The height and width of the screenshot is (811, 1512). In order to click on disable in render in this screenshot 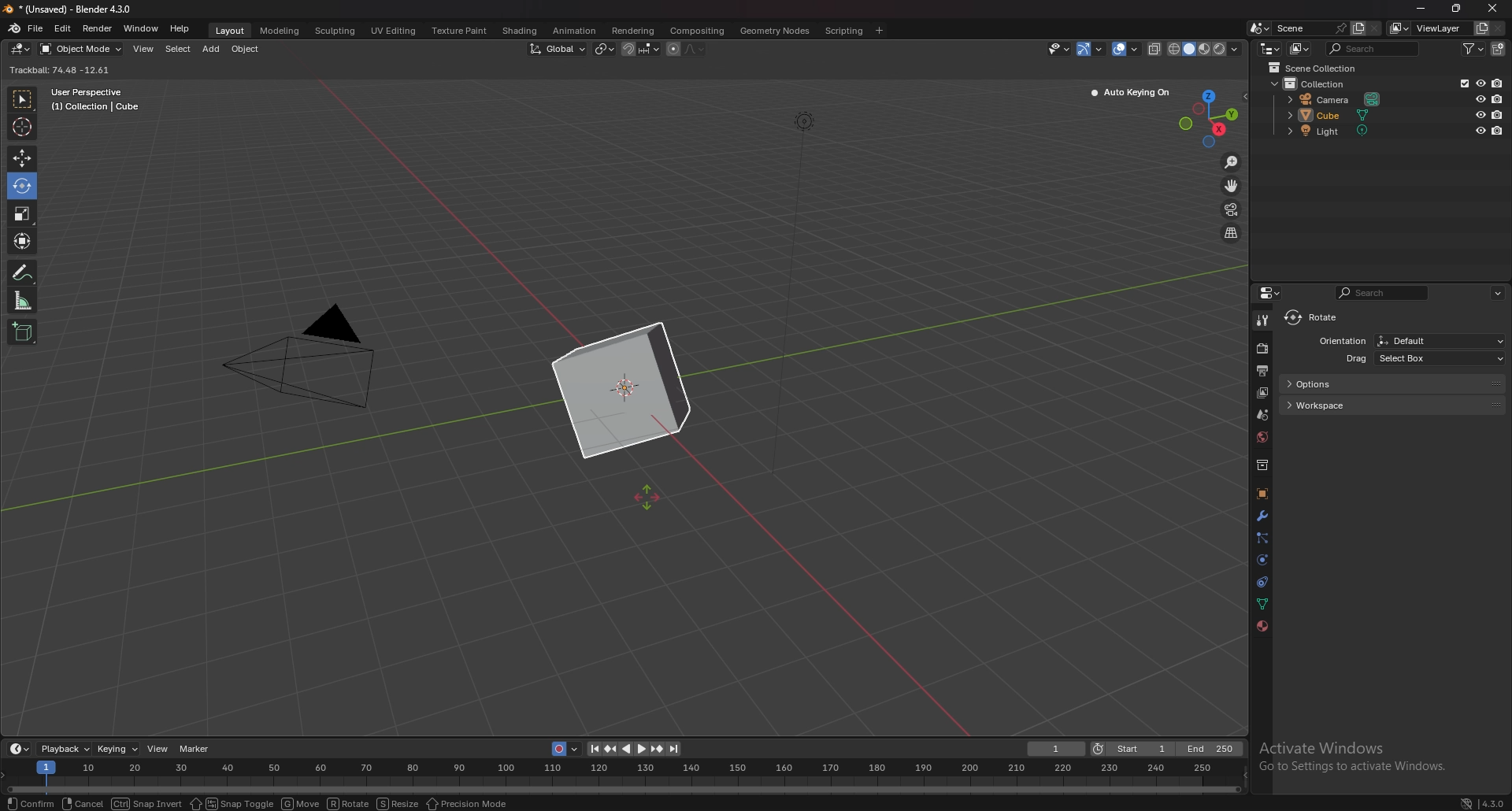, I will do `click(1498, 83)`.